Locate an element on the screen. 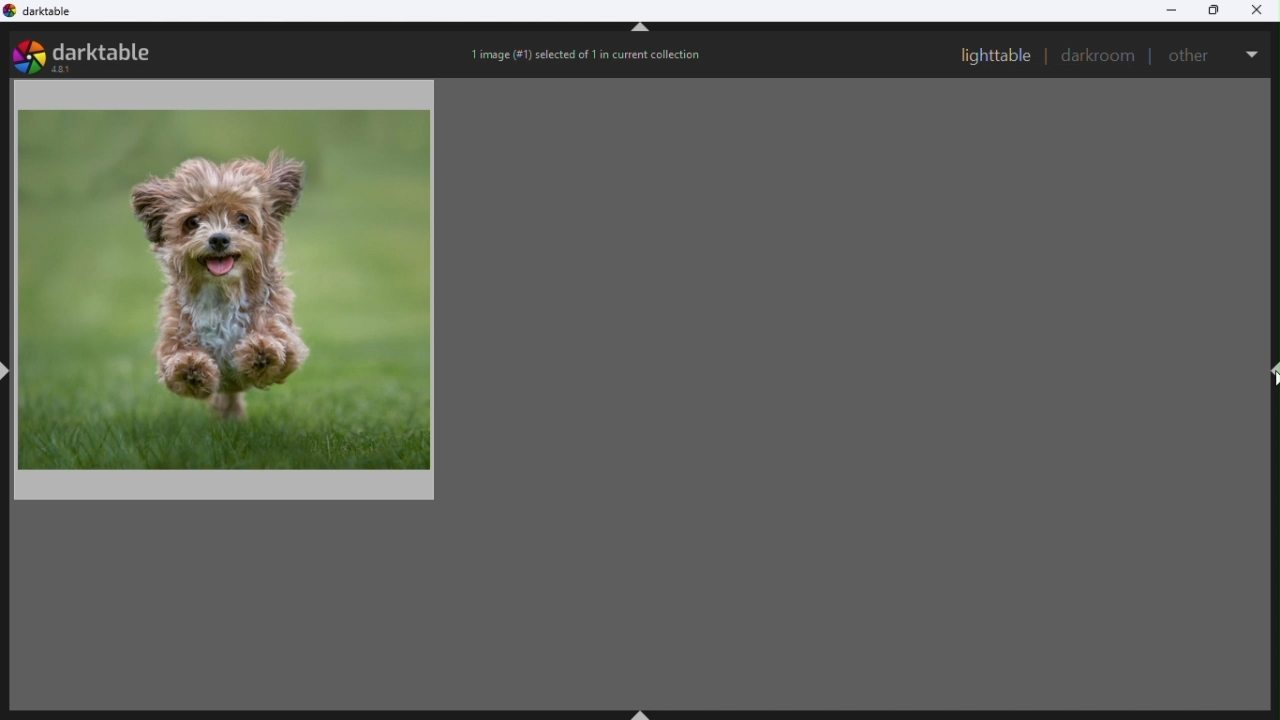  Other is located at coordinates (1192, 53).